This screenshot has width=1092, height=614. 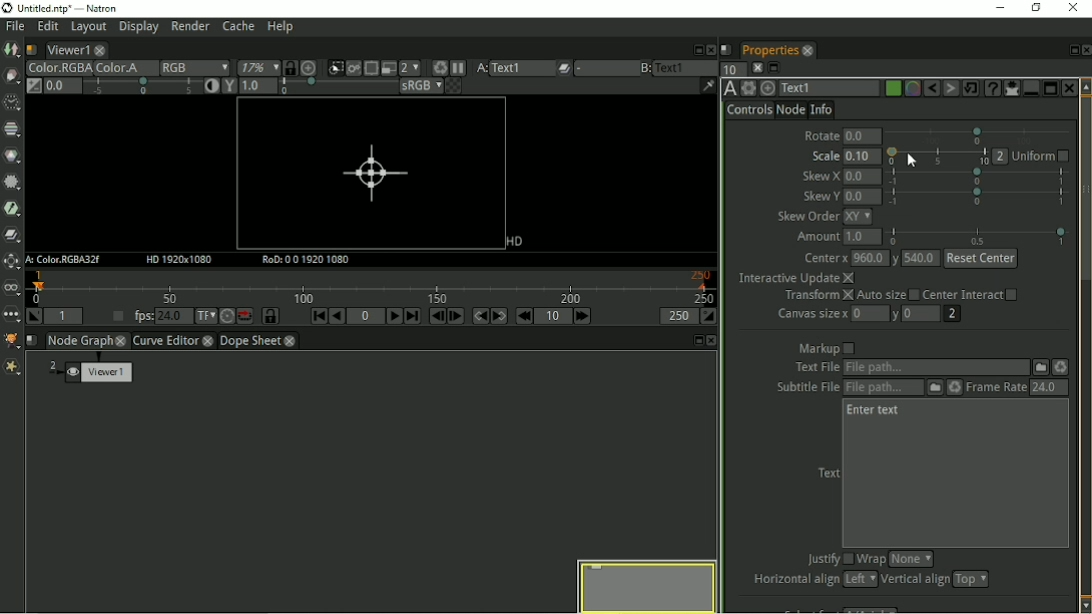 What do you see at coordinates (139, 28) in the screenshot?
I see `Display` at bounding box center [139, 28].